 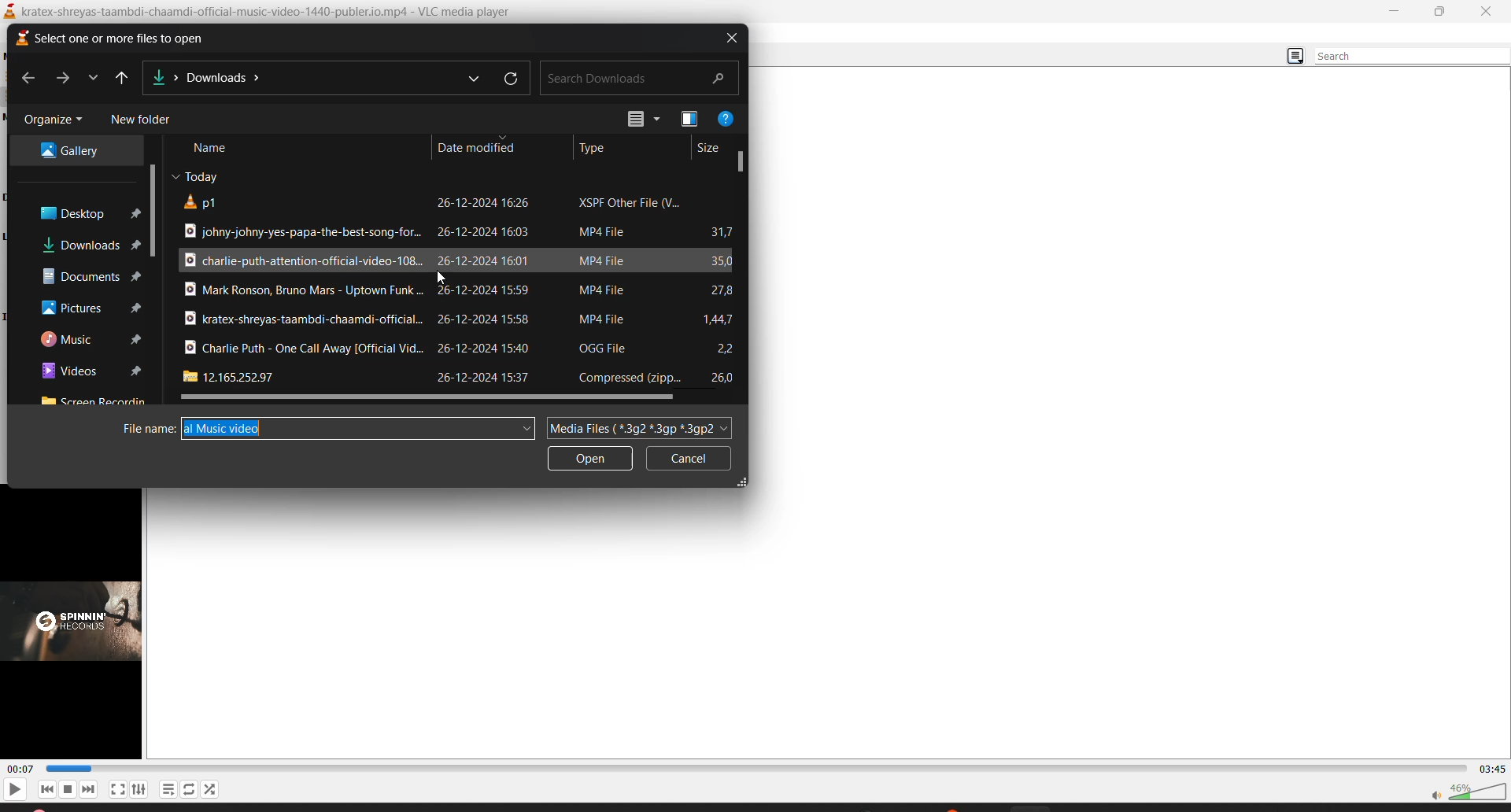 I want to click on file size, so click(x=720, y=377).